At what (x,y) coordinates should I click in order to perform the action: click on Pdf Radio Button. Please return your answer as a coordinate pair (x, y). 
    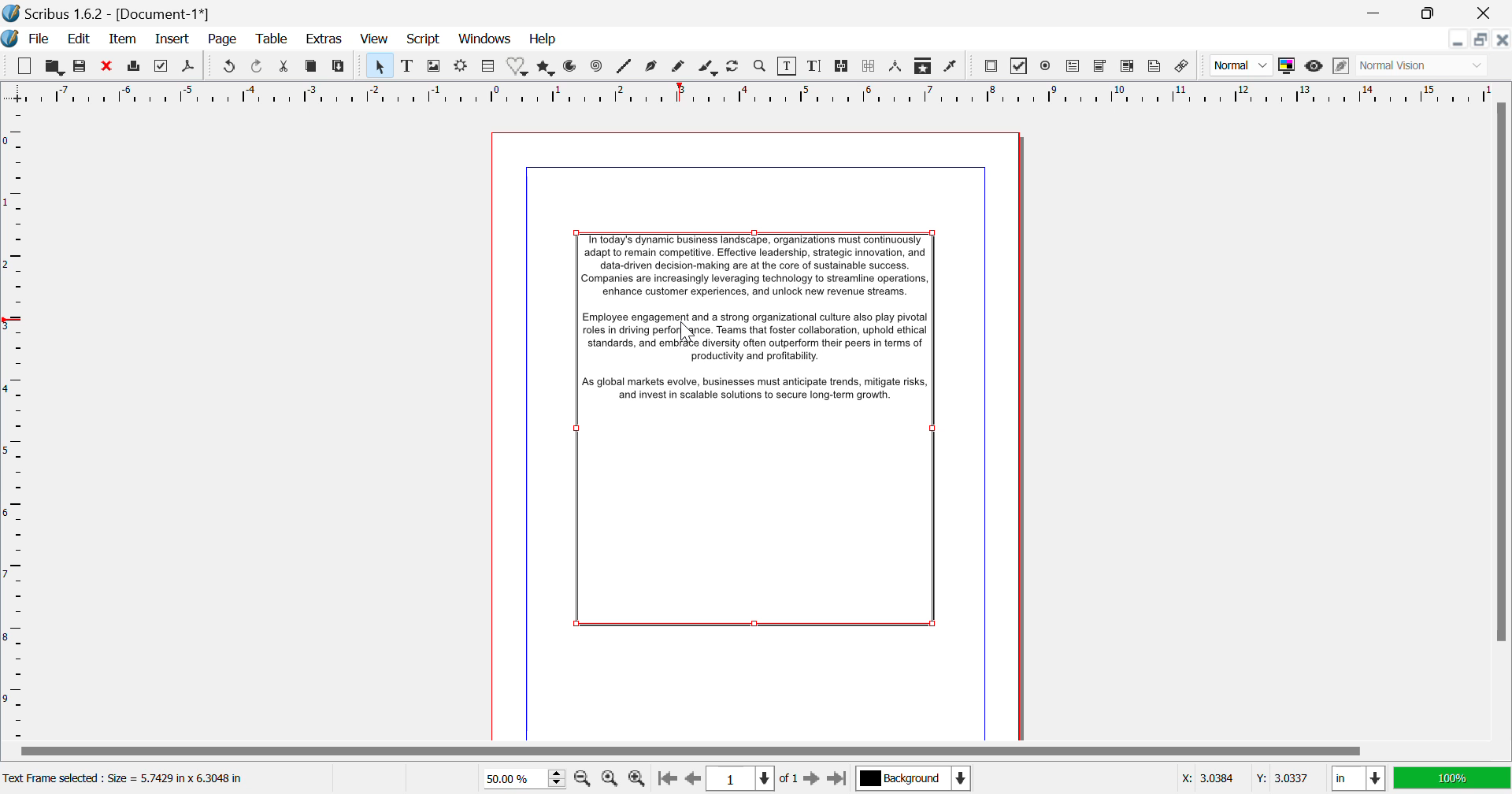
    Looking at the image, I should click on (1045, 66).